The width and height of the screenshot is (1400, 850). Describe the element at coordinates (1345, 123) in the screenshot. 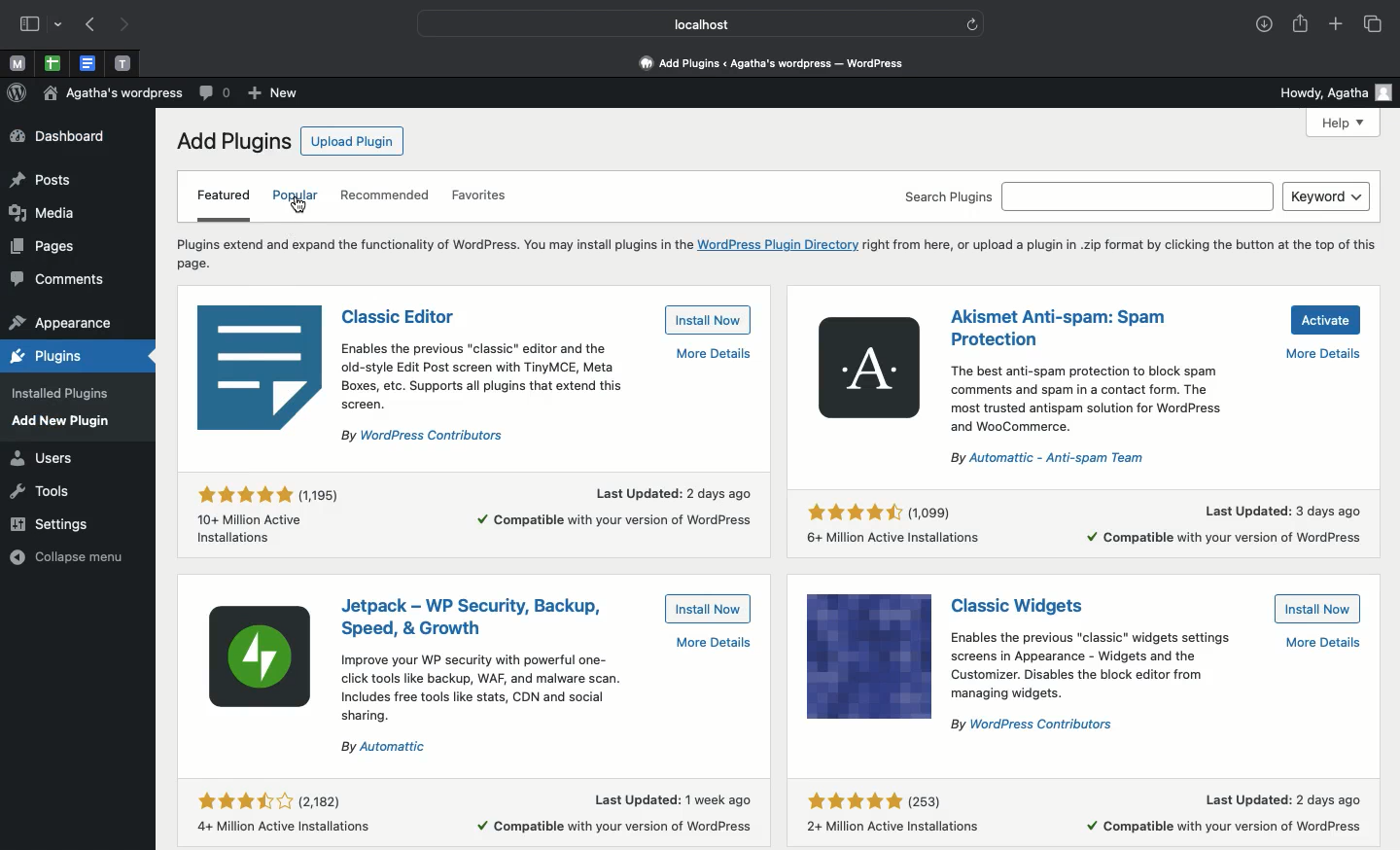

I see `Help` at that location.